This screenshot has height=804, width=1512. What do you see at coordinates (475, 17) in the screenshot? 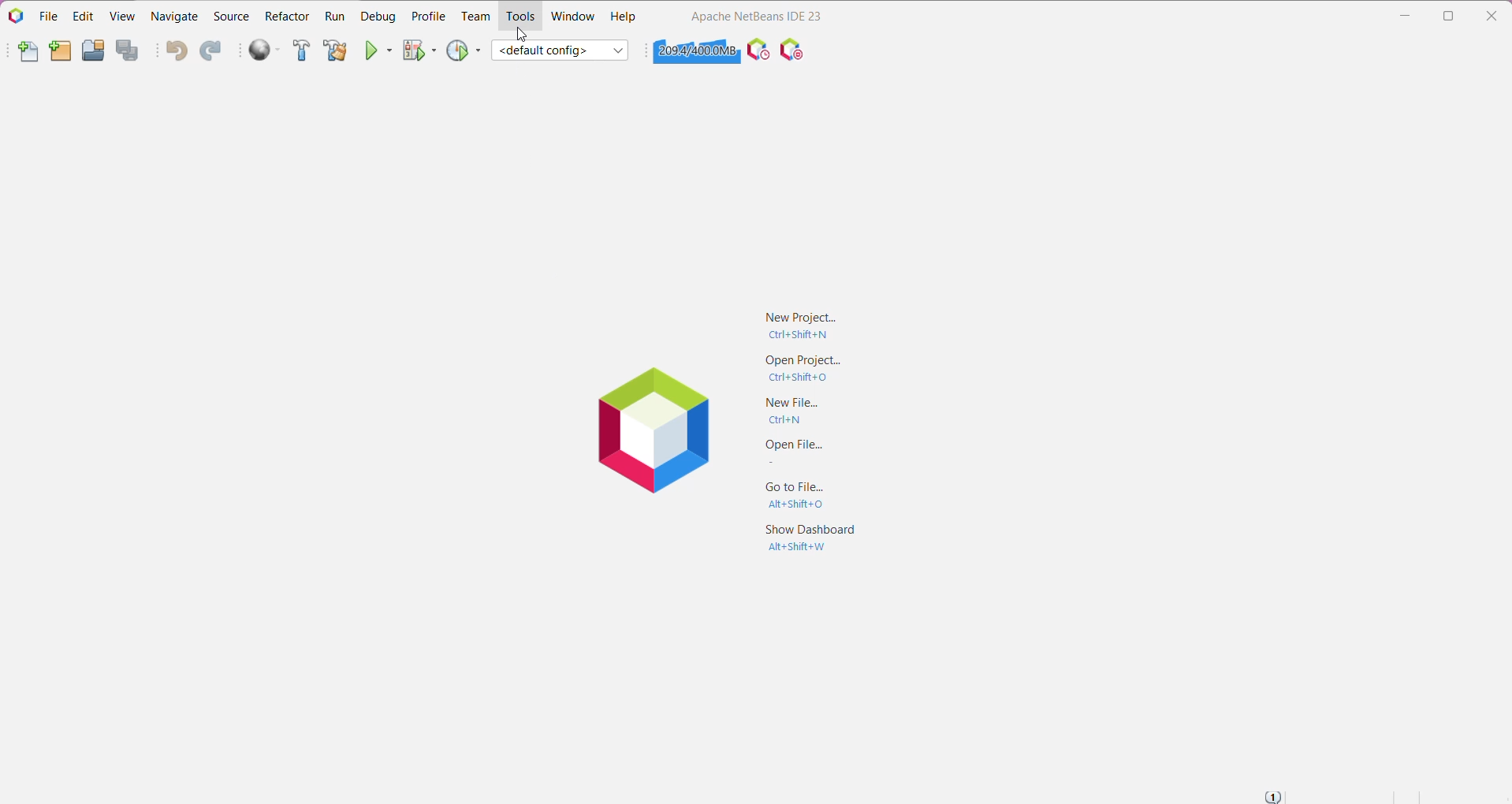
I see `Team` at bounding box center [475, 17].